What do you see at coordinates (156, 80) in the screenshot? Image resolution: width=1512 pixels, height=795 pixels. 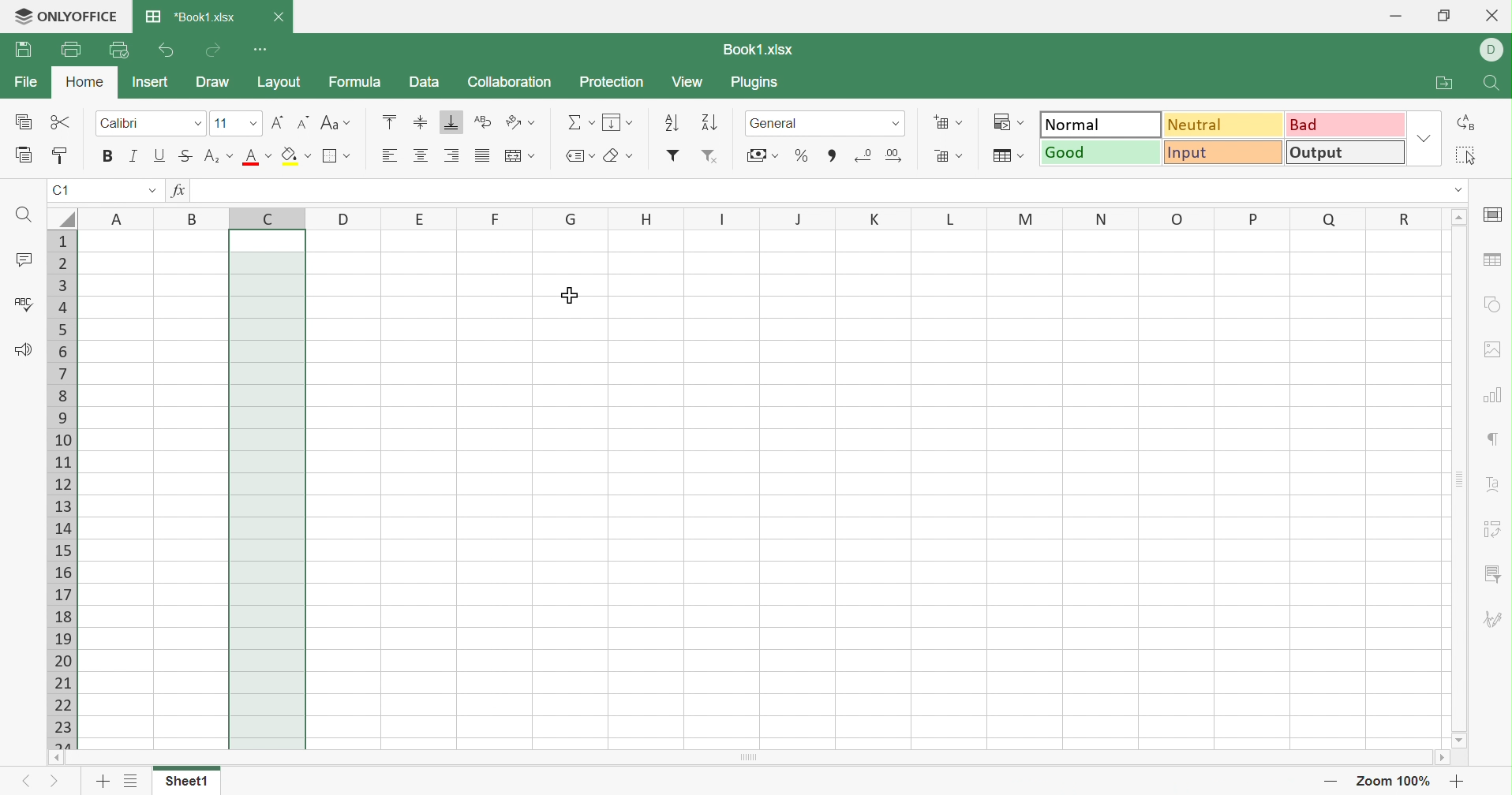 I see `Insert` at bounding box center [156, 80].